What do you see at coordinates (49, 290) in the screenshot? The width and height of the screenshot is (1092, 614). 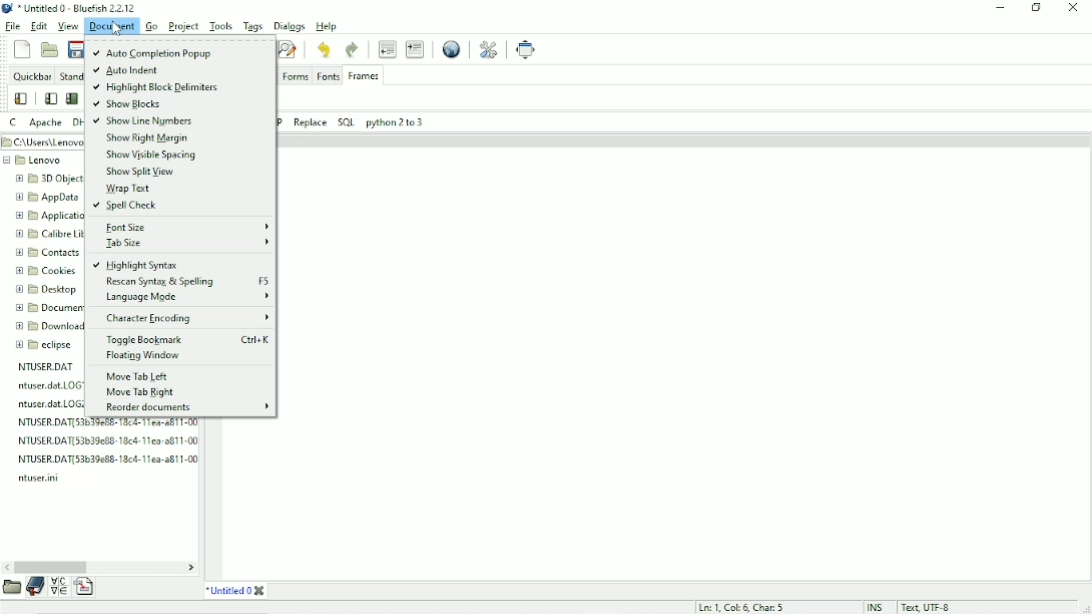 I see `Desktop` at bounding box center [49, 290].